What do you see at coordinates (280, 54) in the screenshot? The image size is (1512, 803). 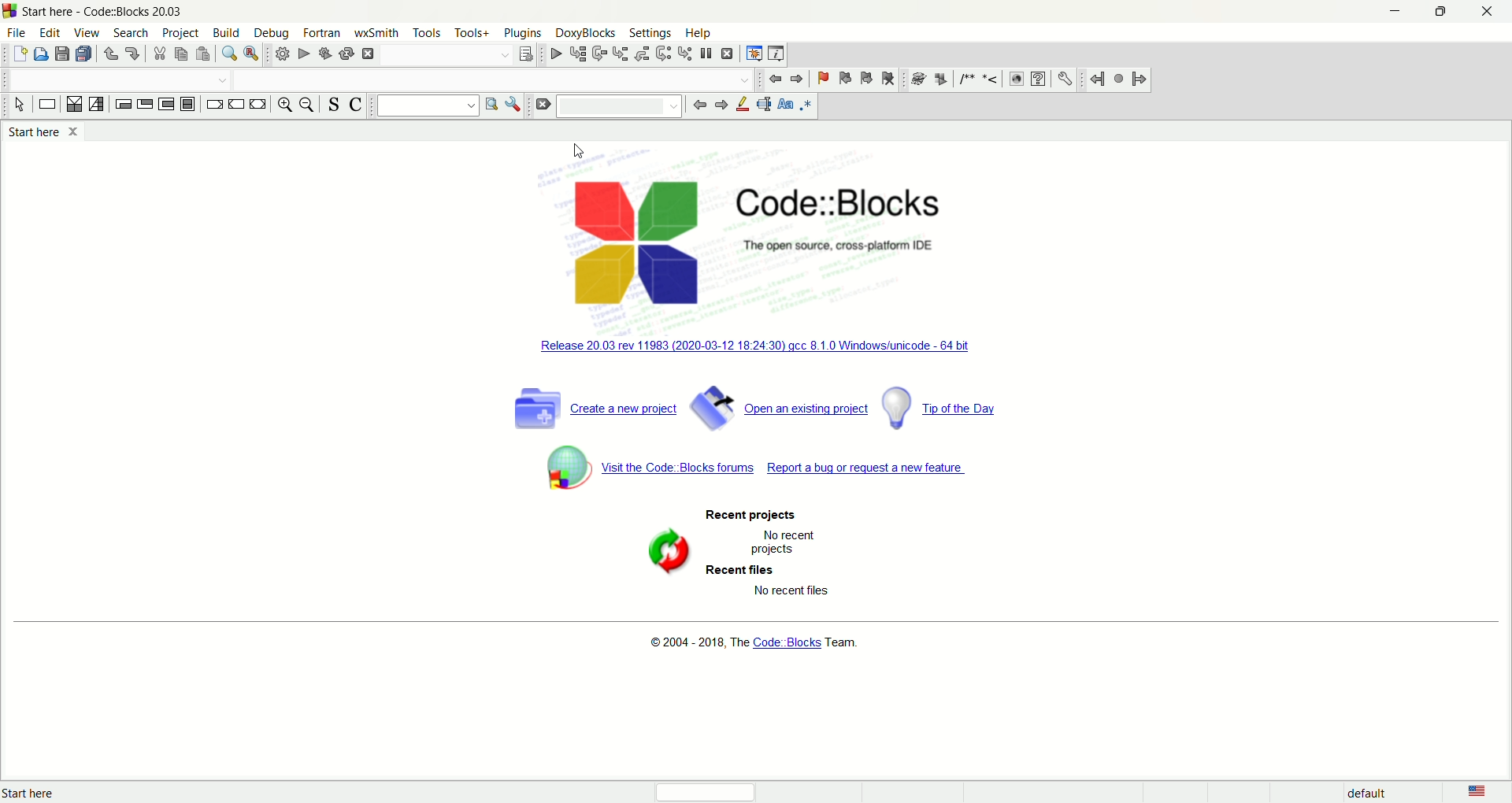 I see `build` at bounding box center [280, 54].